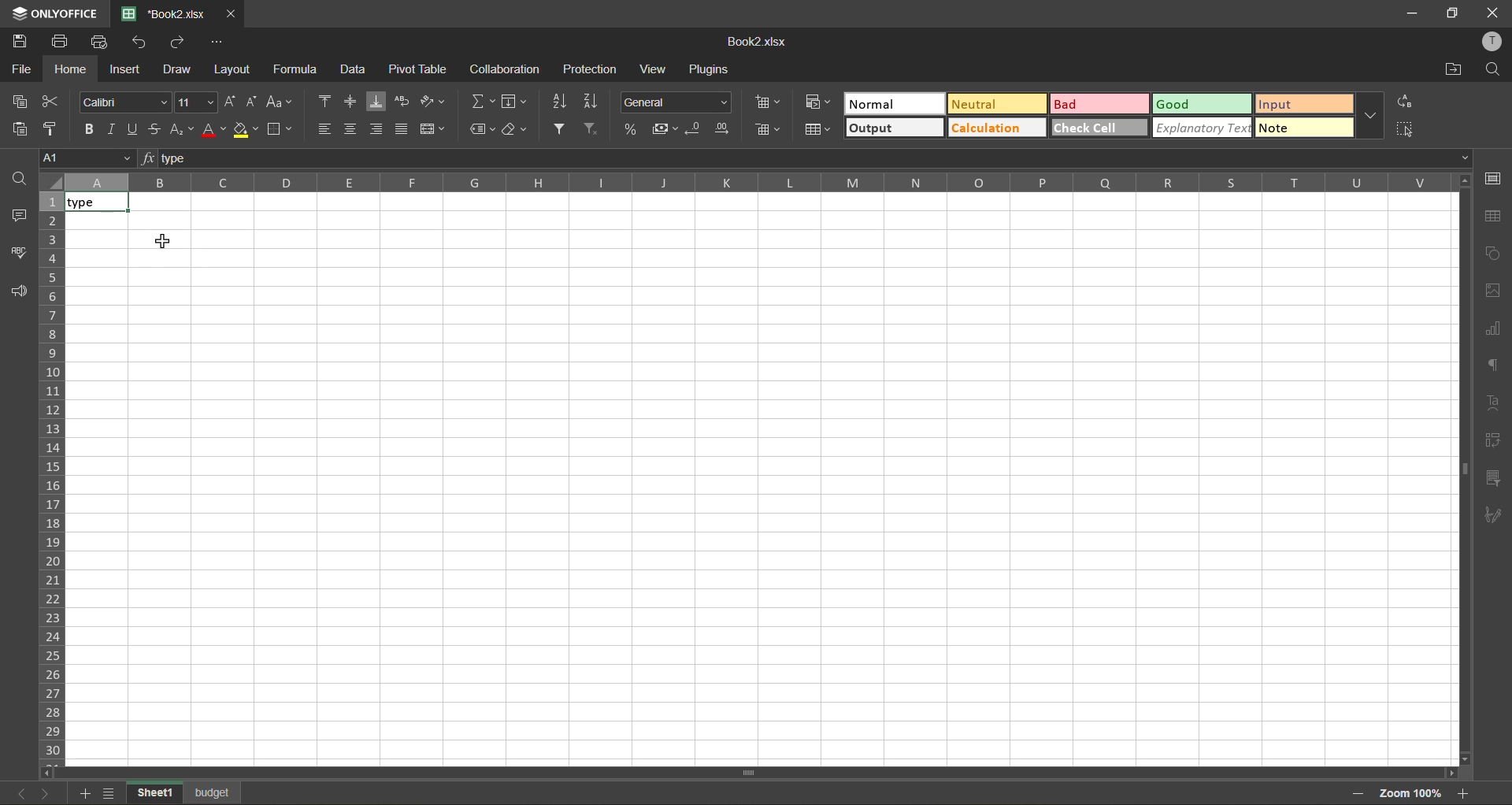  Describe the element at coordinates (592, 68) in the screenshot. I see `protection` at that location.